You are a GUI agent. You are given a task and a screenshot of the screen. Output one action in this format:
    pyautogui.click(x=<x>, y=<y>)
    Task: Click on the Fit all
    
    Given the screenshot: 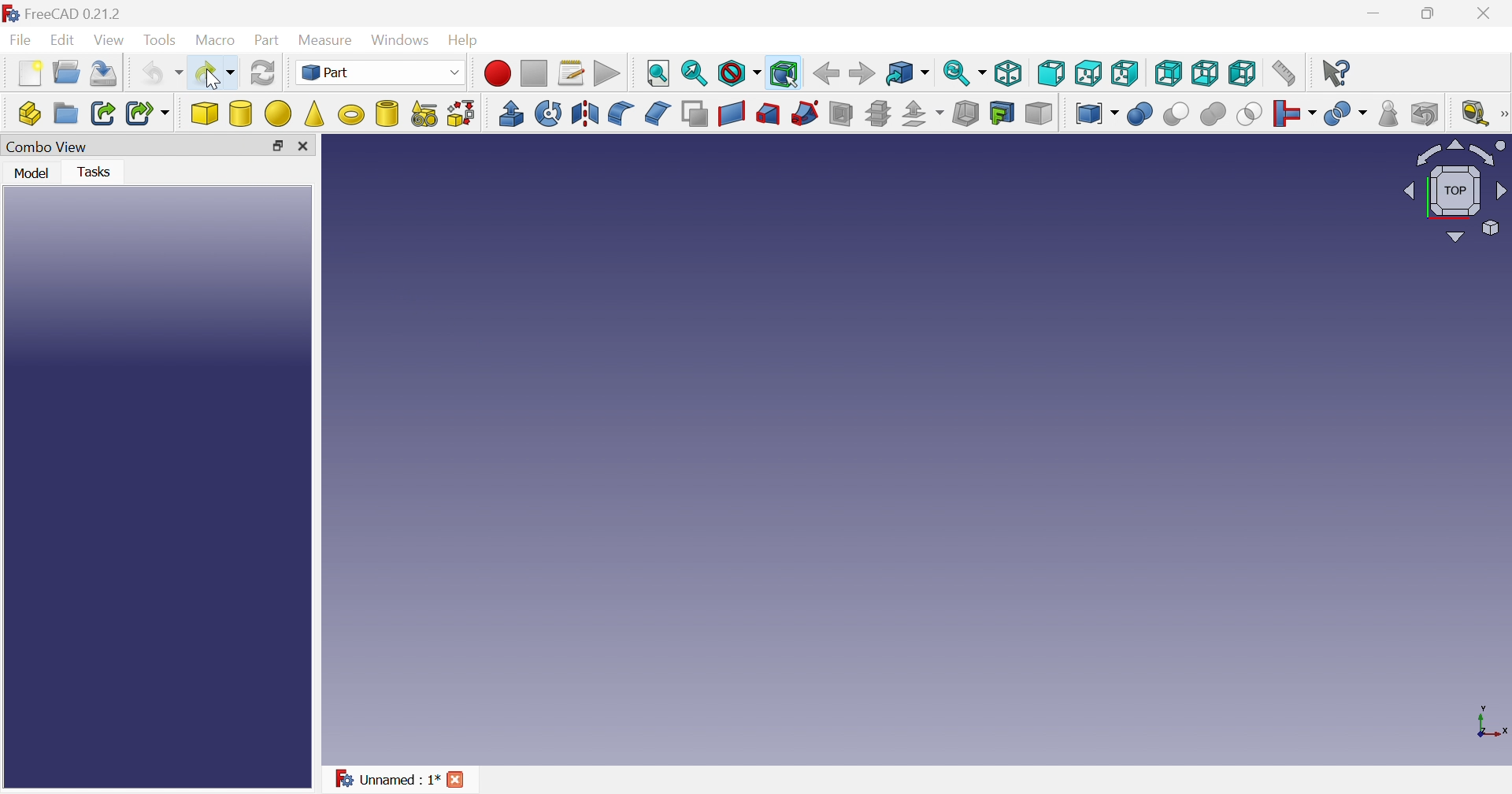 What is the action you would take?
    pyautogui.click(x=654, y=74)
    